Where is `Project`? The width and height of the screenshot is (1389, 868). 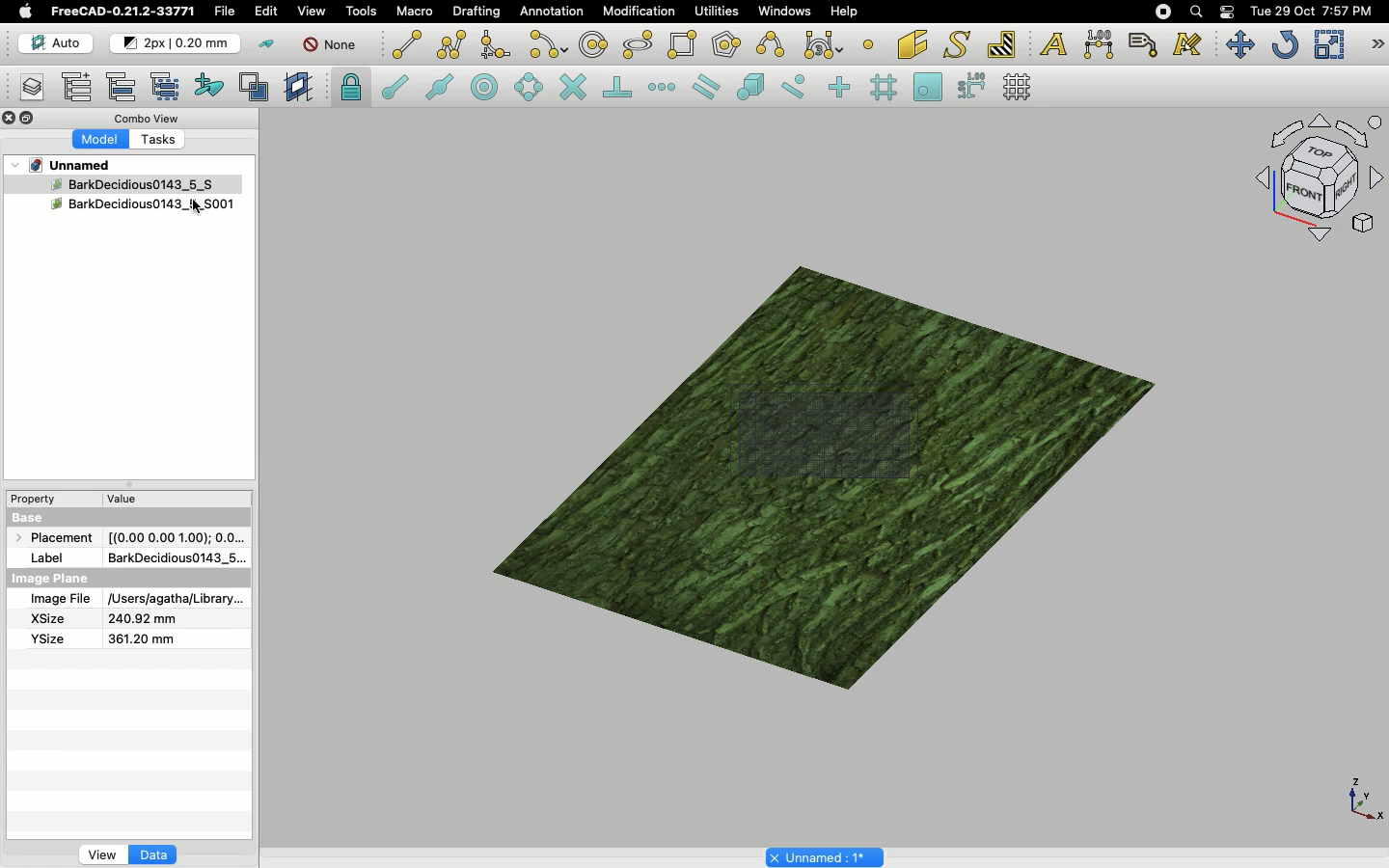
Project is located at coordinates (71, 165).